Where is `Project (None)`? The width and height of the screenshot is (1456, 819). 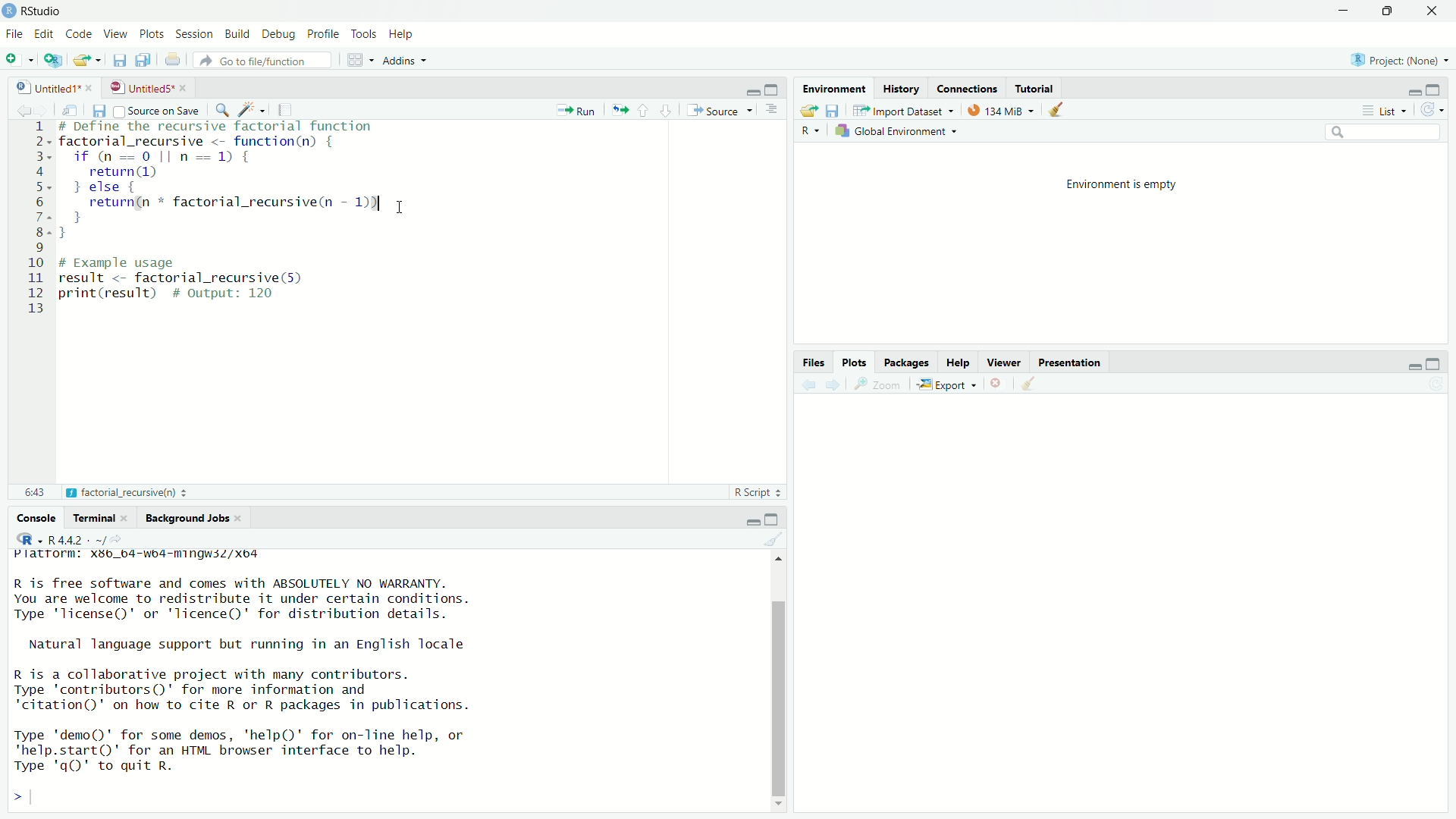
Project (None) is located at coordinates (1398, 61).